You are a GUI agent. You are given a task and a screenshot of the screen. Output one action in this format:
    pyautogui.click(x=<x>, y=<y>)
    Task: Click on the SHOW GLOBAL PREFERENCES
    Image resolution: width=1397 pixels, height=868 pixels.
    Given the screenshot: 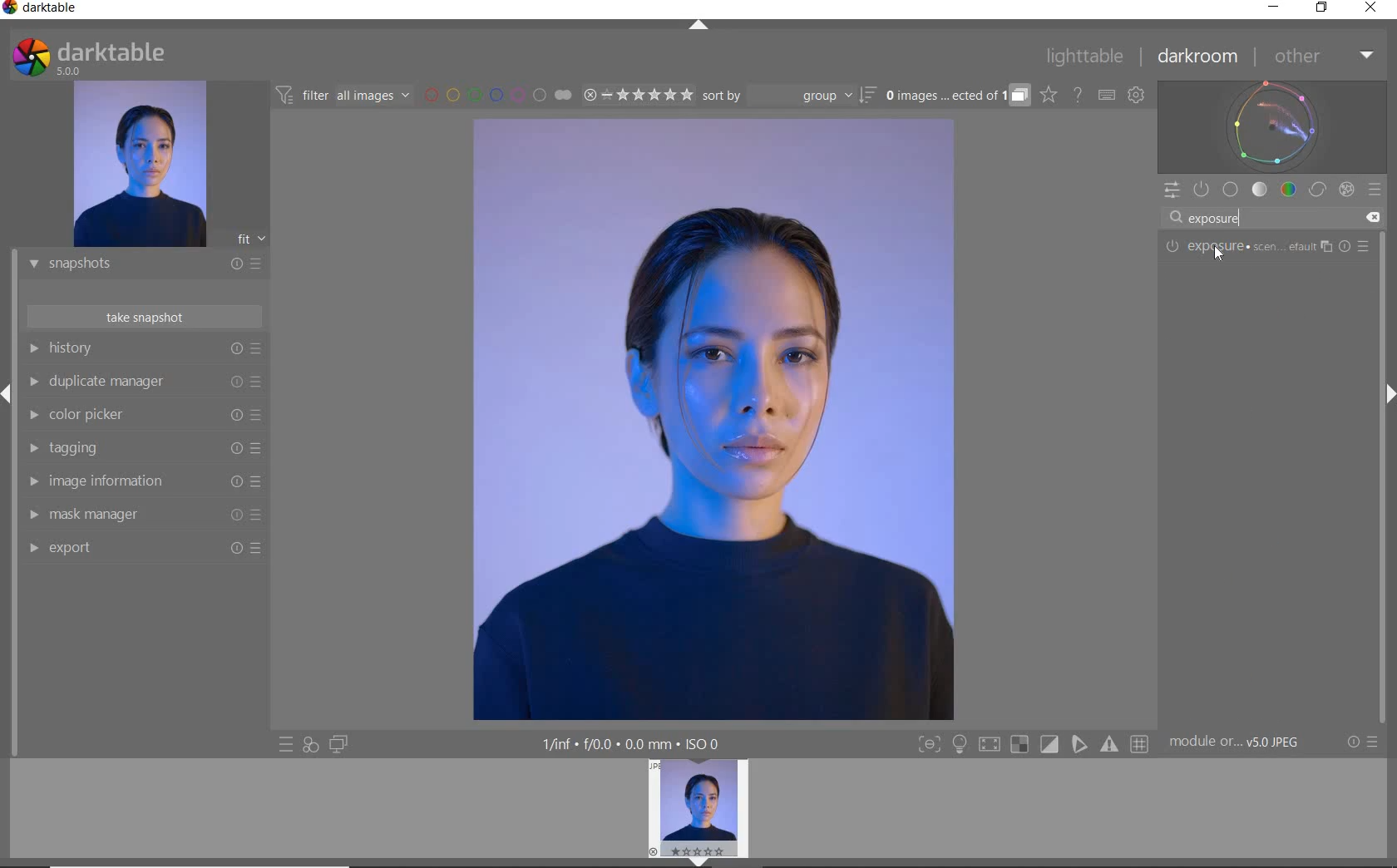 What is the action you would take?
    pyautogui.click(x=1136, y=96)
    